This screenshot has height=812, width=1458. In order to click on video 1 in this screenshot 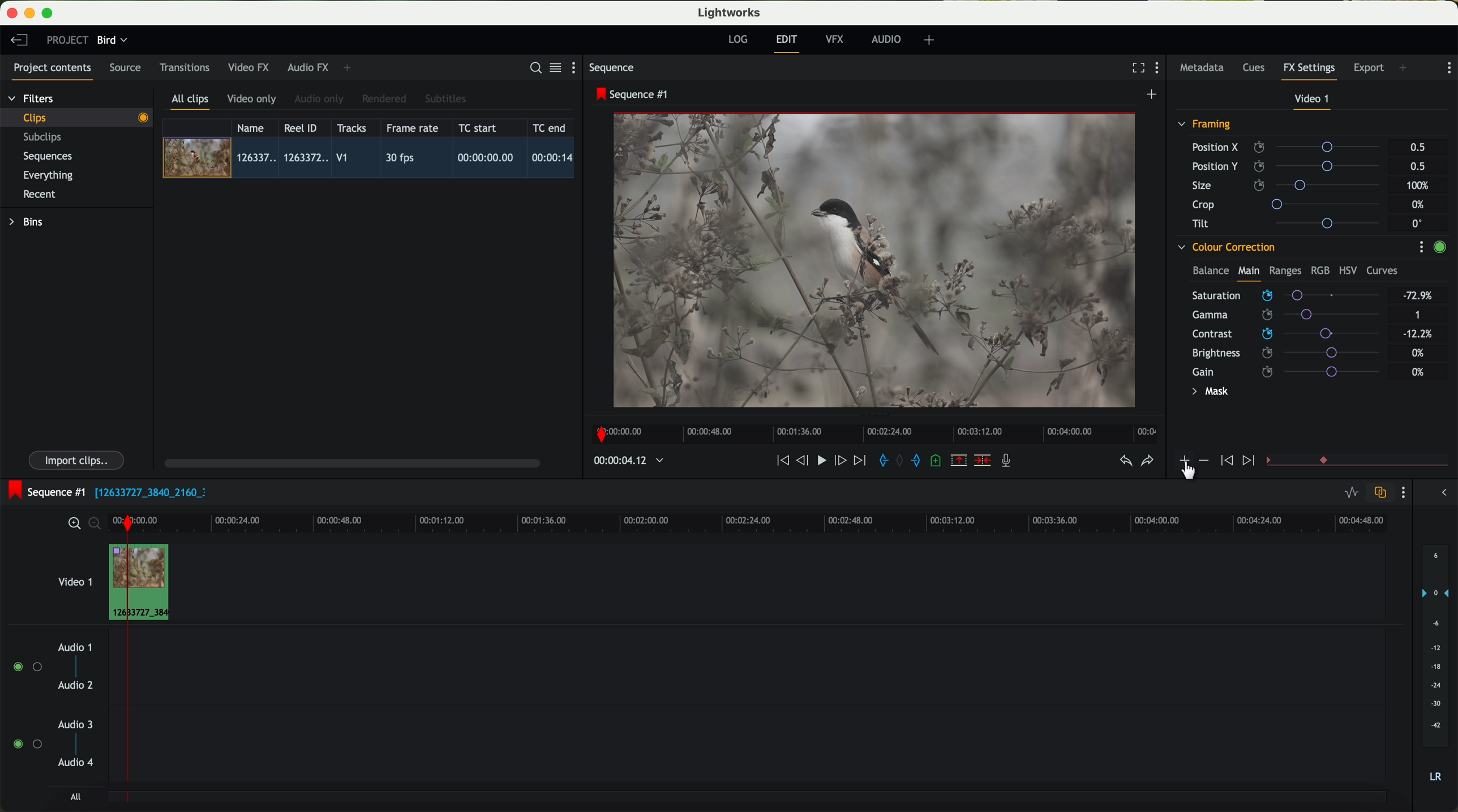, I will do `click(1313, 101)`.